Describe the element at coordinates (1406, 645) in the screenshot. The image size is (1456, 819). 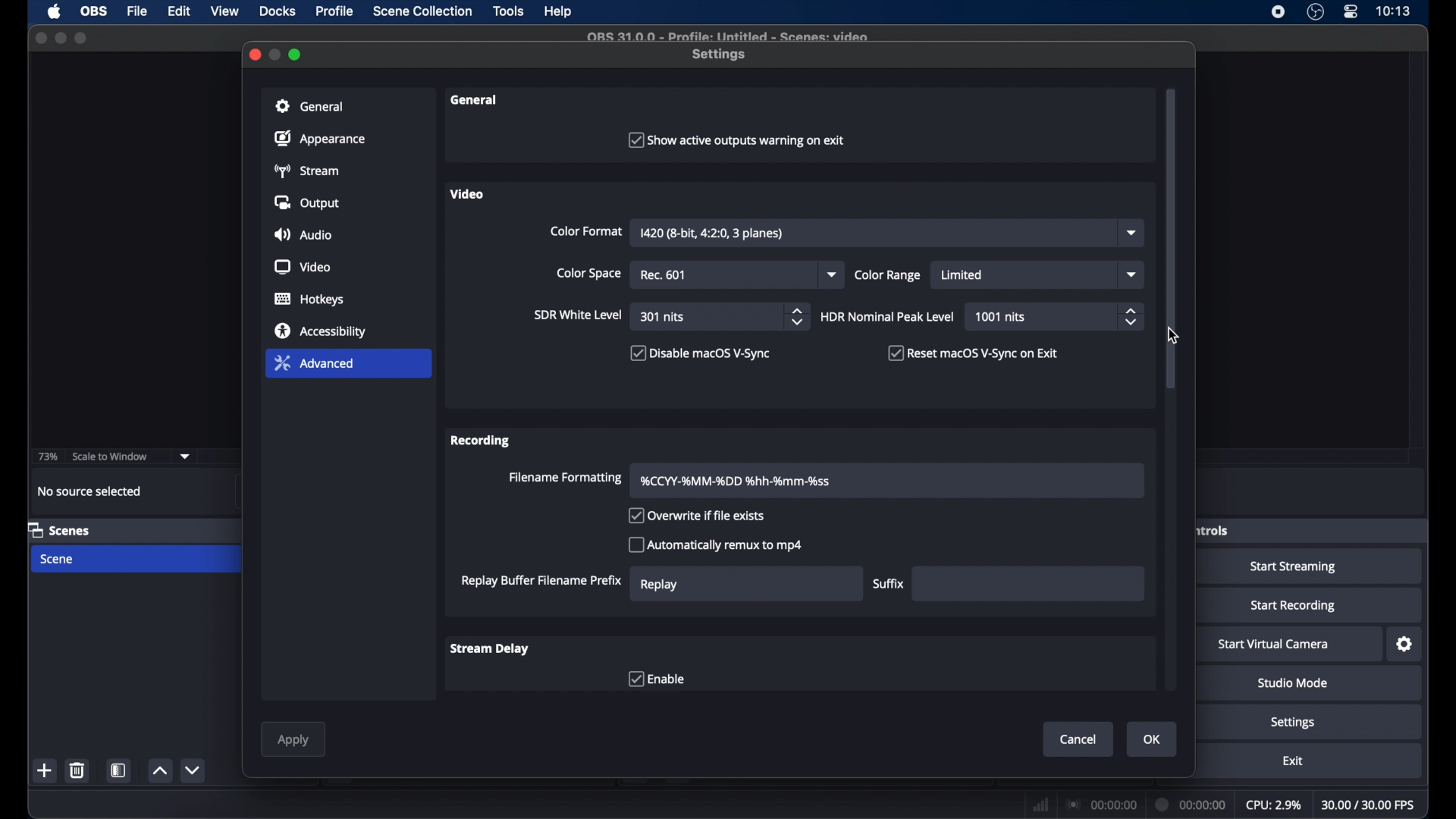
I see `settings` at that location.